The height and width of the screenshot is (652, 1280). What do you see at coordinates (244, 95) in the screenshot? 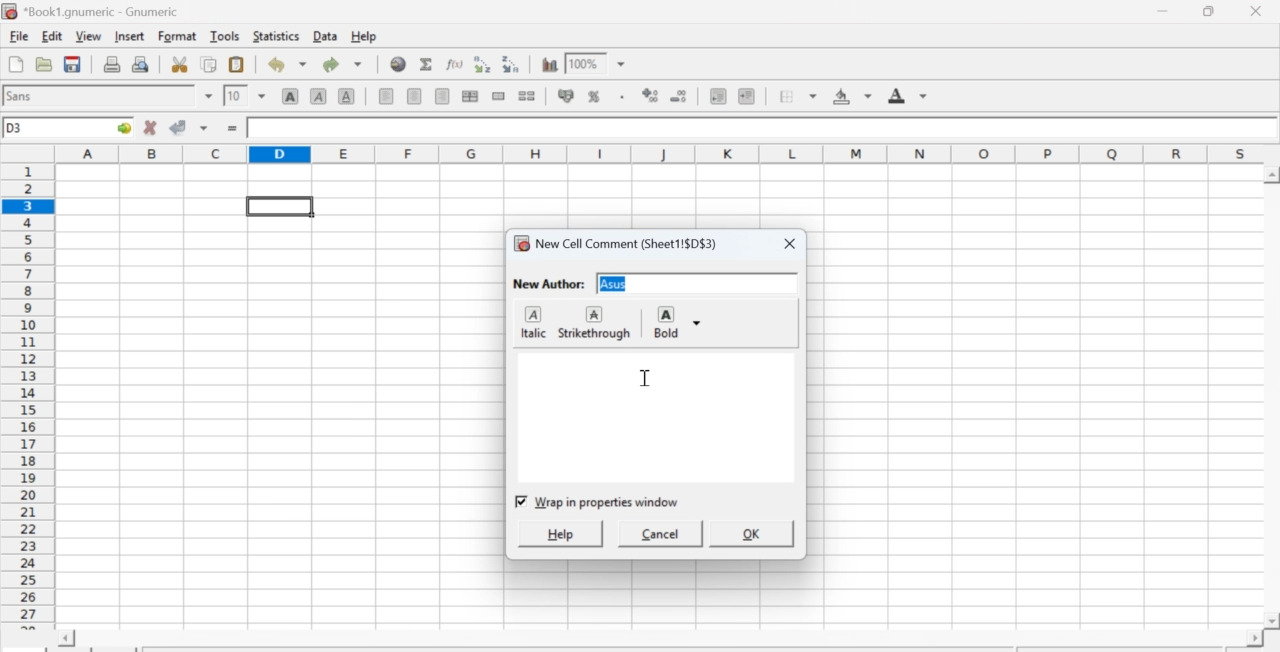
I see `Font Size` at bounding box center [244, 95].